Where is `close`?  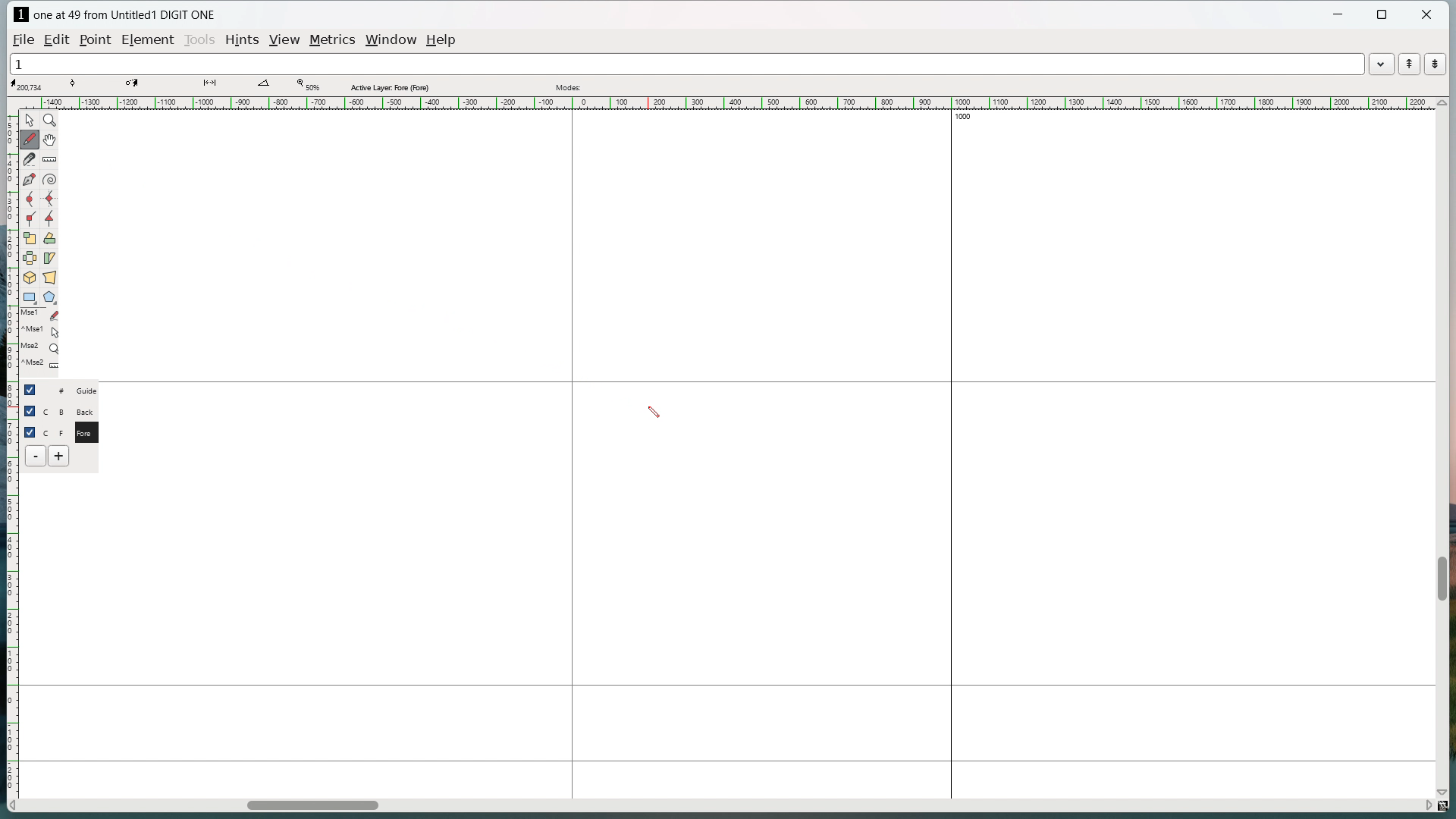
close is located at coordinates (1426, 14).